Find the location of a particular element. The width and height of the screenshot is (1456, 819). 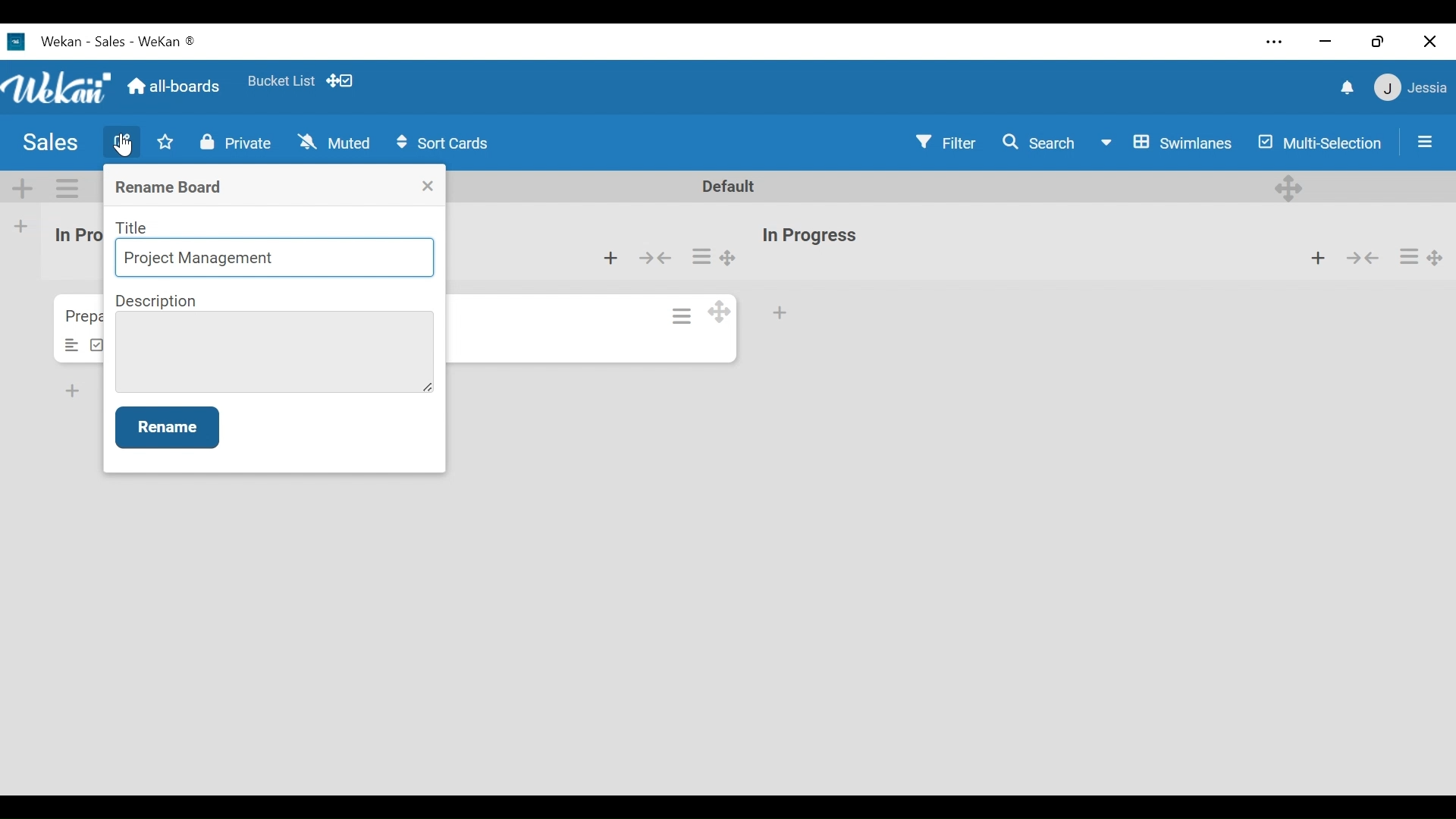

Close is located at coordinates (428, 186).